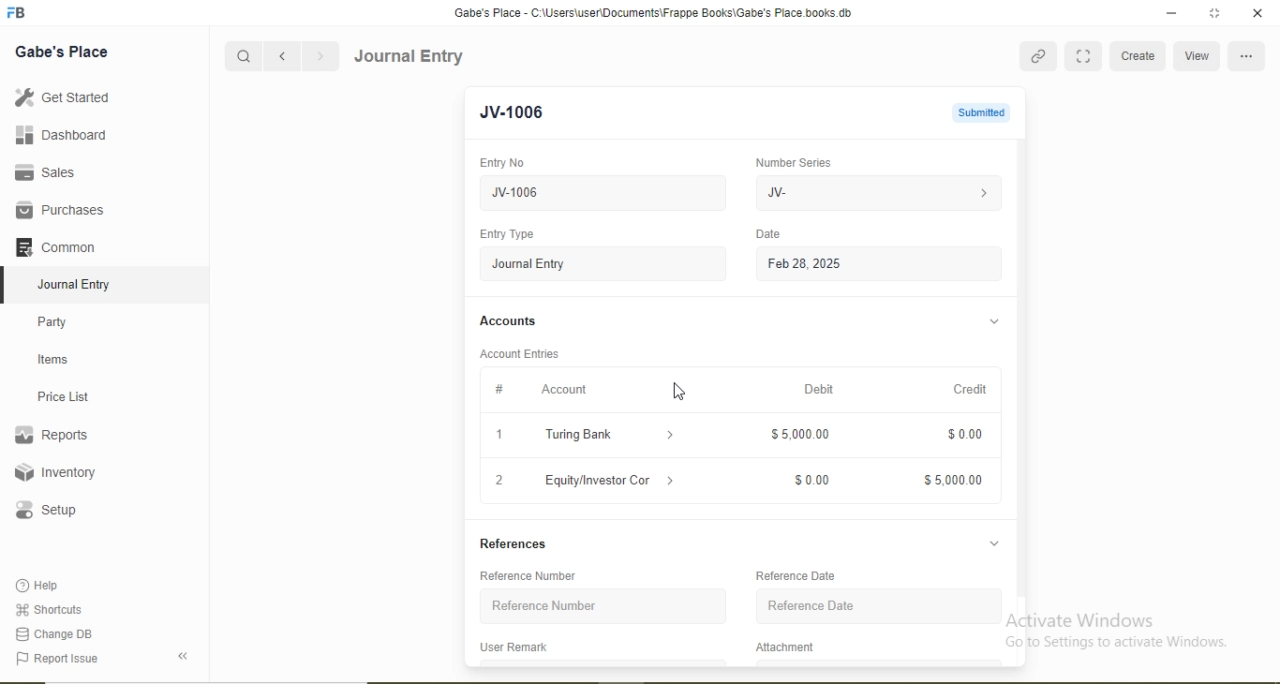 This screenshot has height=684, width=1280. Describe the element at coordinates (528, 576) in the screenshot. I see `Reference Number` at that location.